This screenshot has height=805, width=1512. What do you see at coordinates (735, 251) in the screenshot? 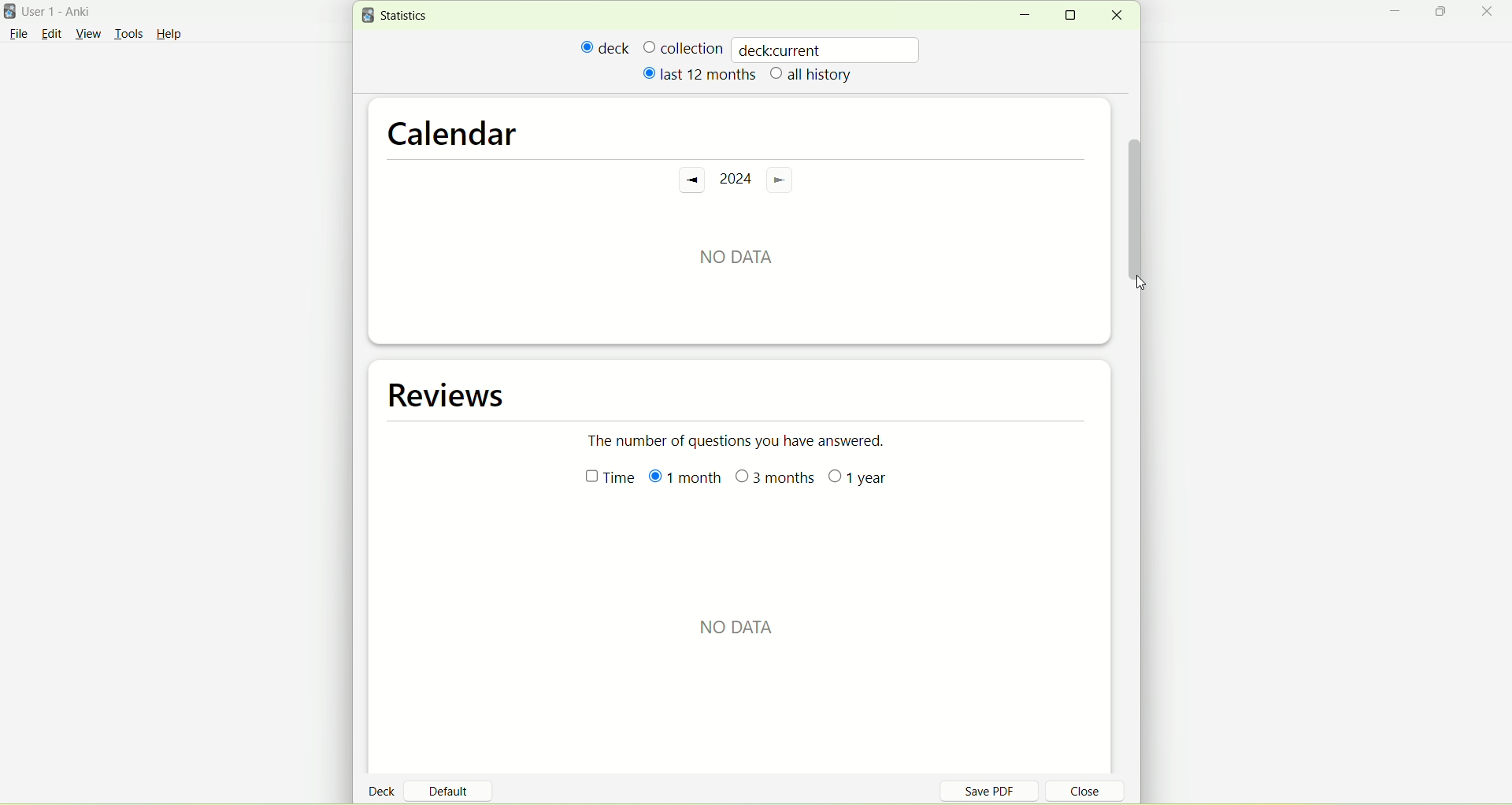
I see `No data` at bounding box center [735, 251].